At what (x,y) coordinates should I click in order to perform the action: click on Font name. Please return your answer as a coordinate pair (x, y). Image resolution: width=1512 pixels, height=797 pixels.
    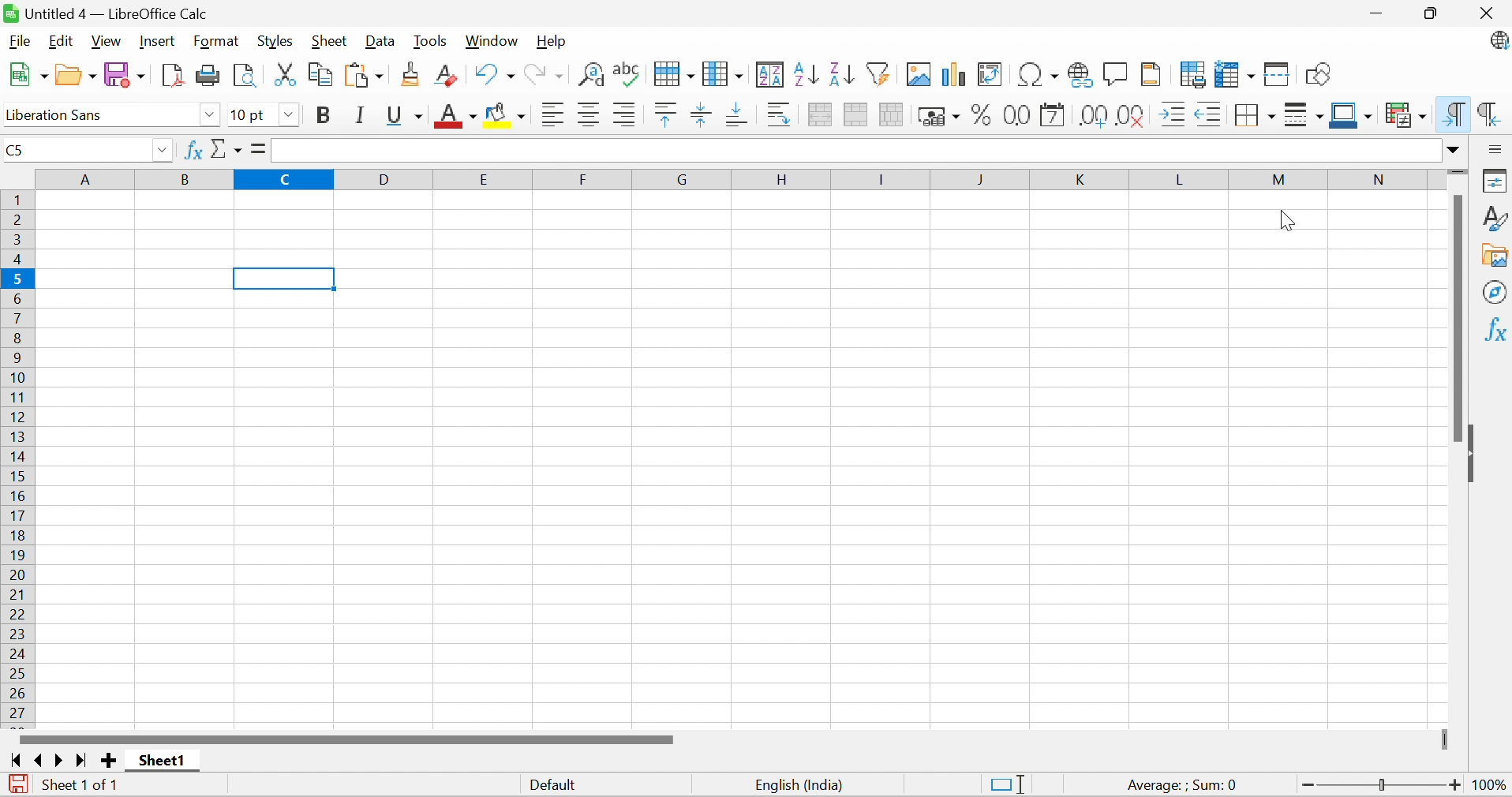
    Looking at the image, I should click on (97, 116).